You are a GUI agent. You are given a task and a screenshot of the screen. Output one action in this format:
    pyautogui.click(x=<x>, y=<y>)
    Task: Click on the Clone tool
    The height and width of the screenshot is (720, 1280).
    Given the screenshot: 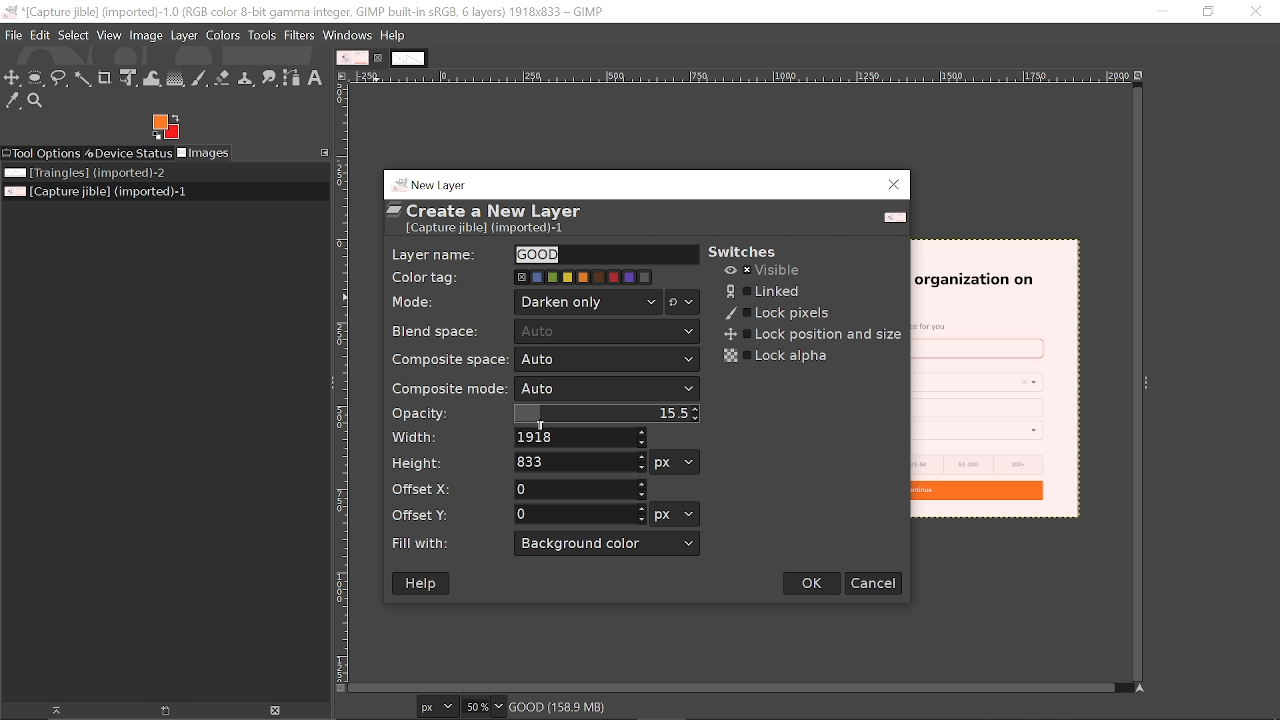 What is the action you would take?
    pyautogui.click(x=247, y=78)
    